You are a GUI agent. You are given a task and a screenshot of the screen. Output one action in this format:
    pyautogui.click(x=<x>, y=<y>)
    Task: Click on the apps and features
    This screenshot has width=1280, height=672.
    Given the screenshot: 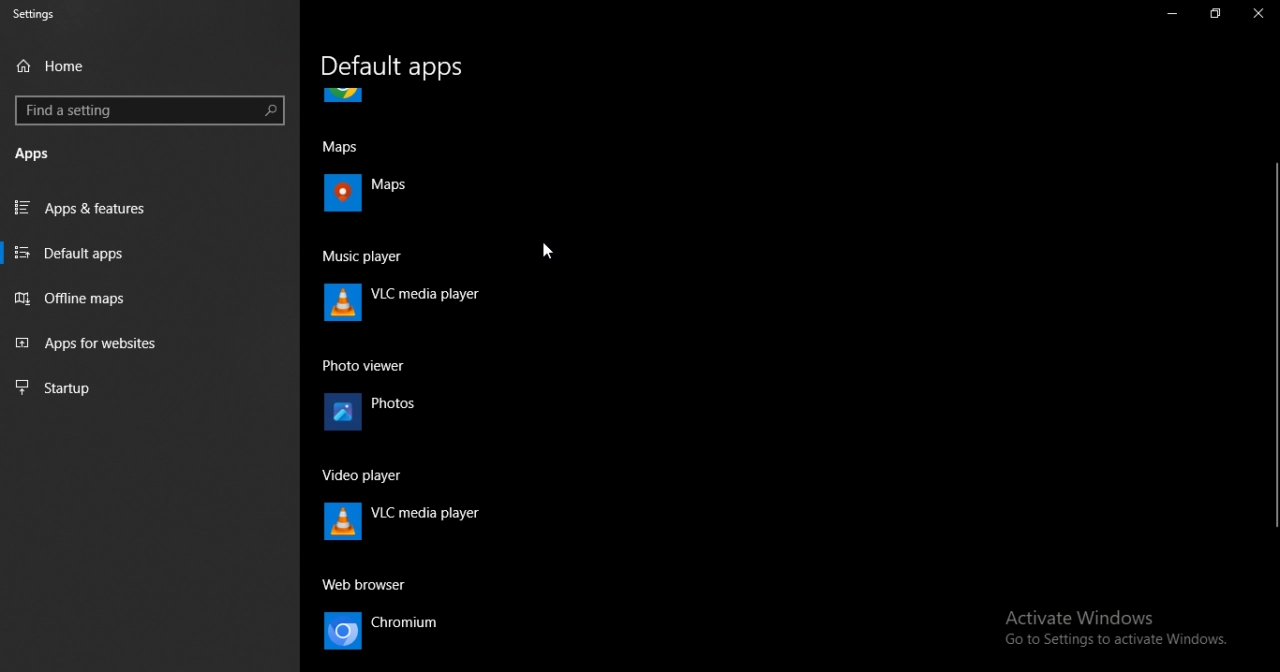 What is the action you would take?
    pyautogui.click(x=145, y=214)
    